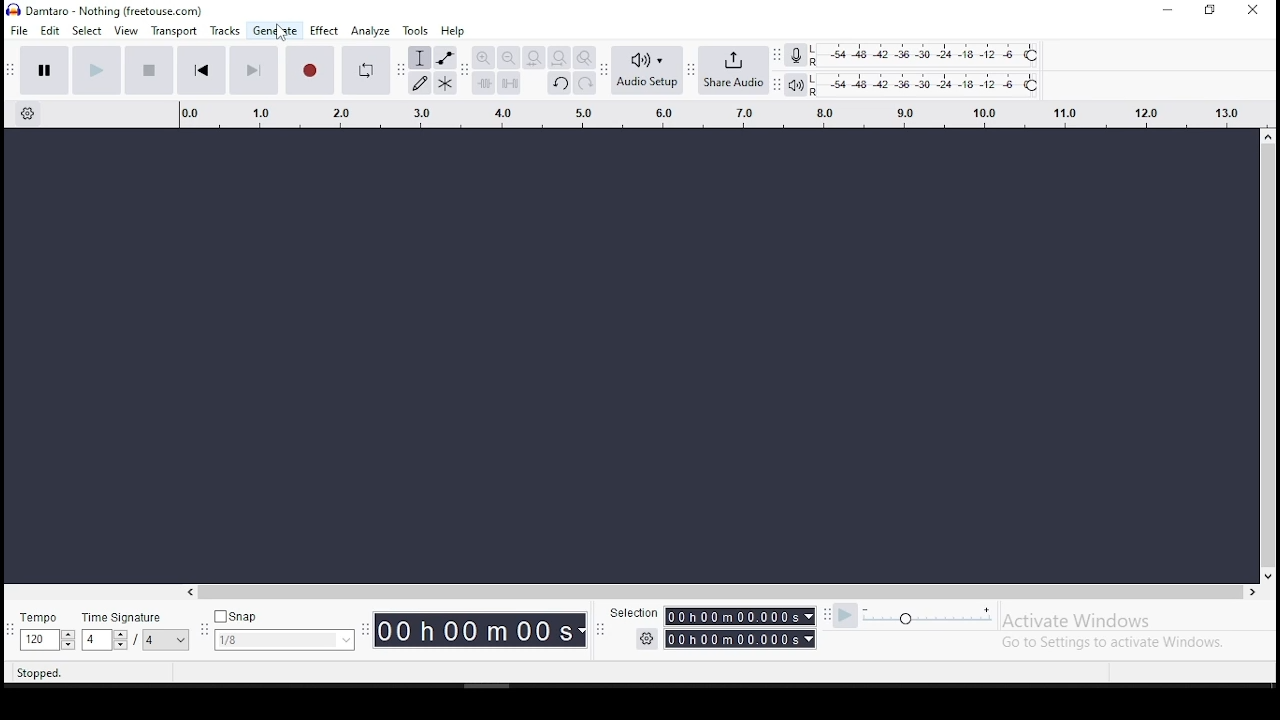  I want to click on transport, so click(173, 31).